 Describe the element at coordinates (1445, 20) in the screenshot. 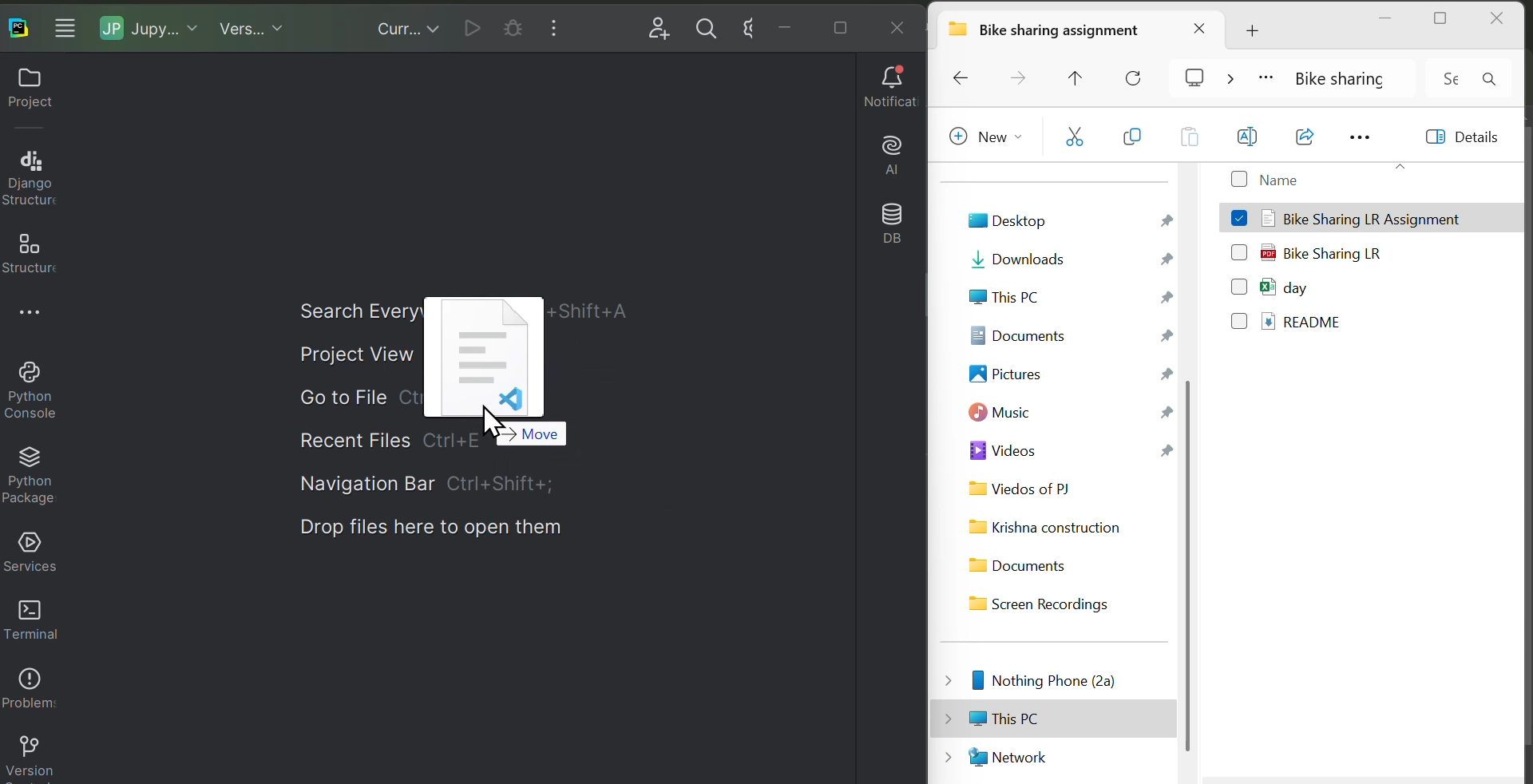

I see `maximise` at that location.